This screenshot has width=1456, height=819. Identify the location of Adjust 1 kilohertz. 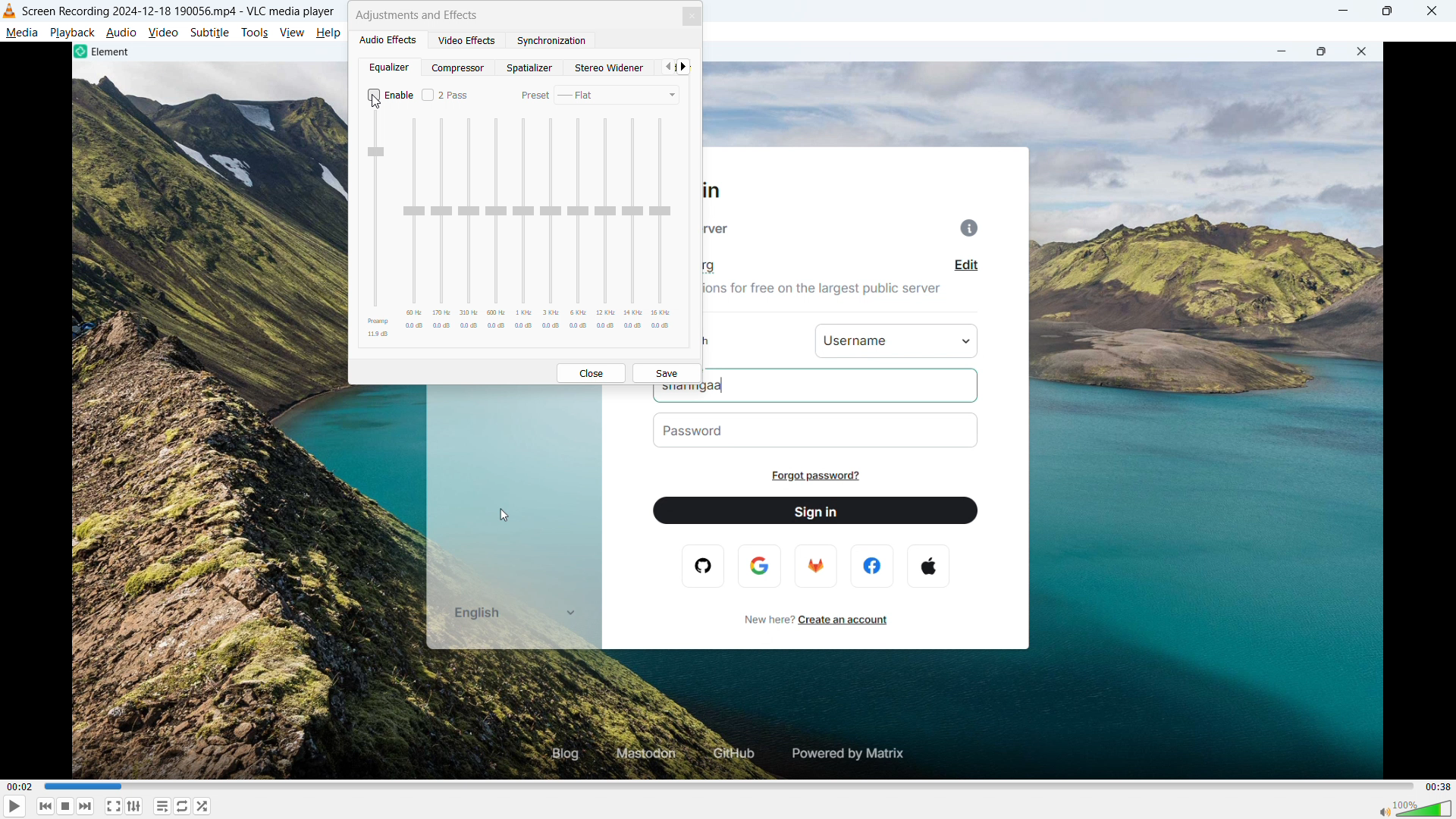
(524, 225).